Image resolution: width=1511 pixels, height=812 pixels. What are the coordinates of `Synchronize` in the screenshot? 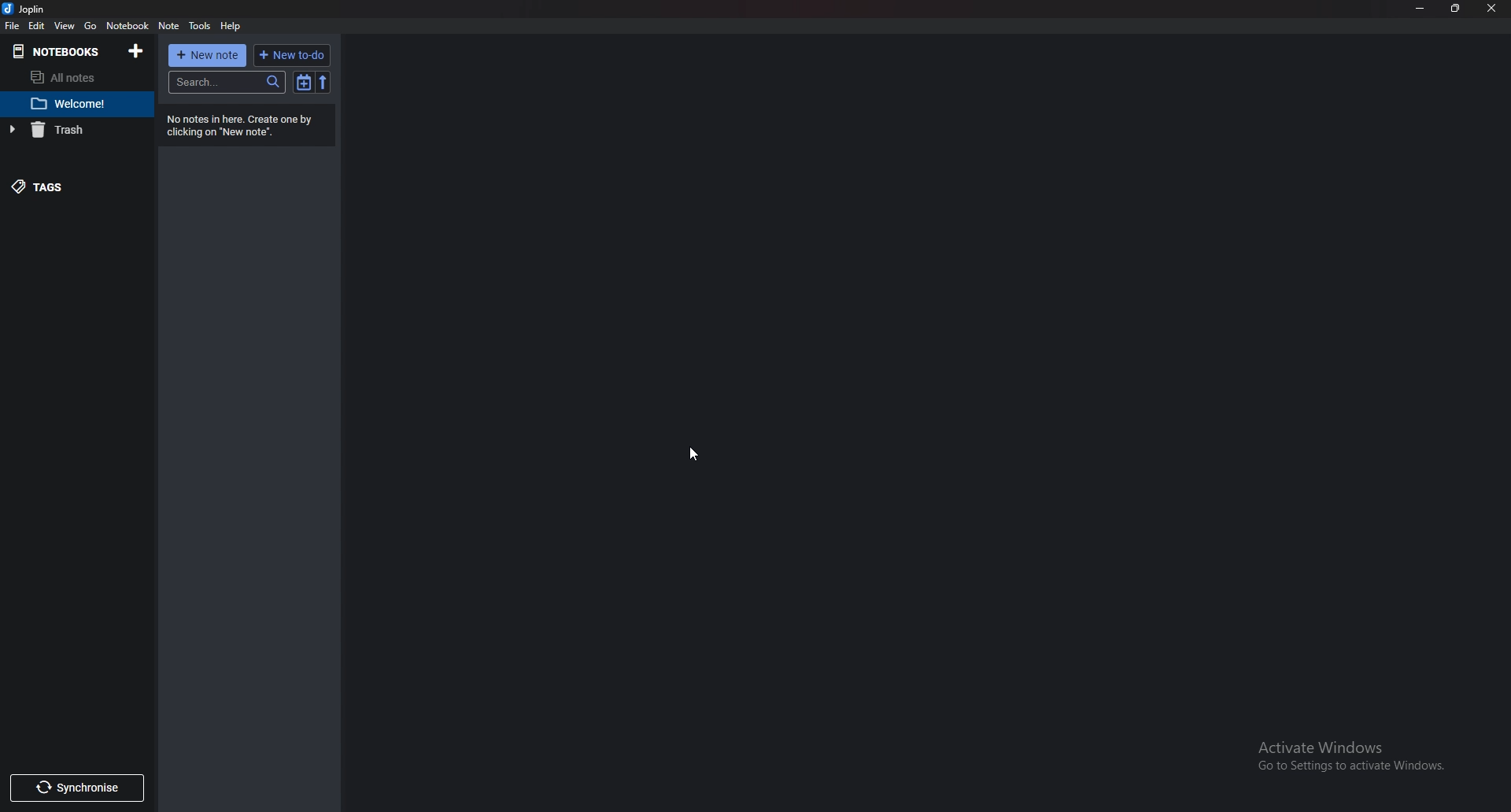 It's located at (78, 787).